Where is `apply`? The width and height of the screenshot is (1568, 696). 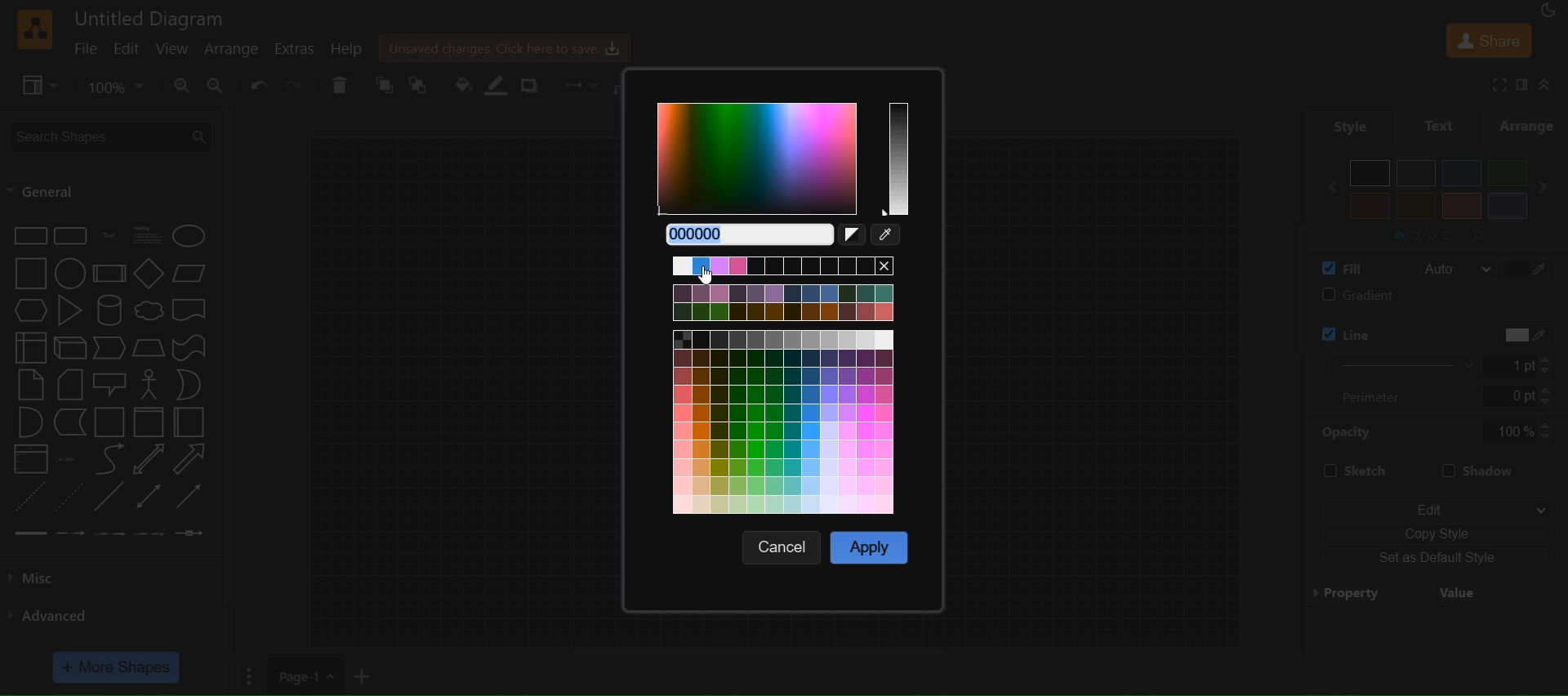
apply is located at coordinates (870, 546).